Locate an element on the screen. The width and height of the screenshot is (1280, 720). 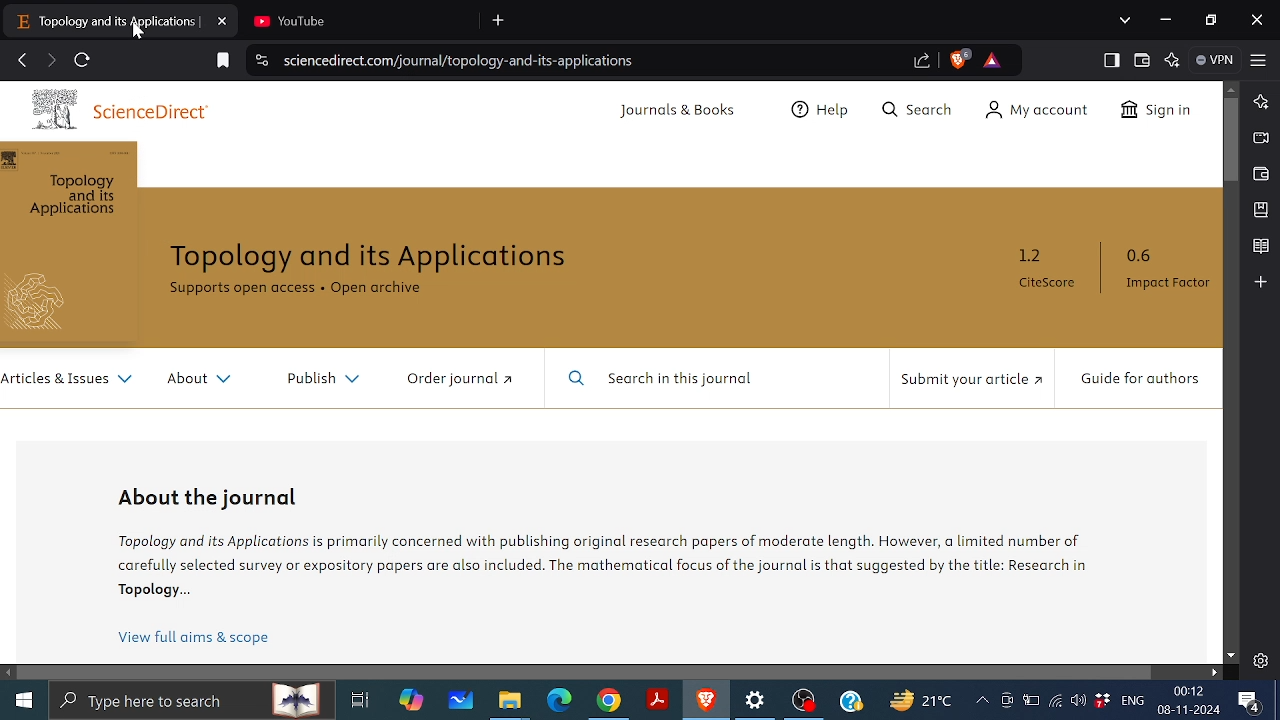
cursor is located at coordinates (142, 33).